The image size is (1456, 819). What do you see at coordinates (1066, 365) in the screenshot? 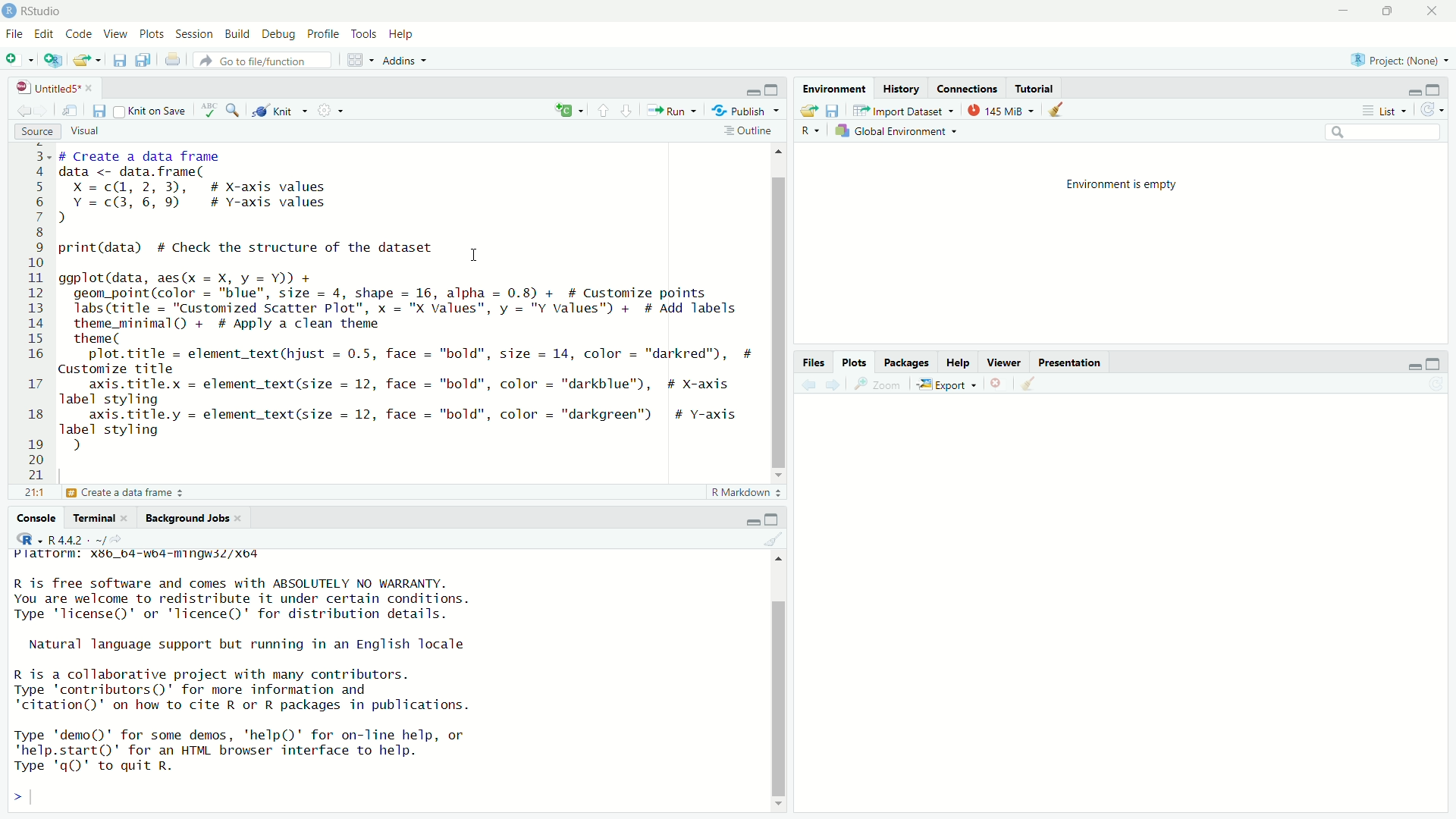
I see `Presentation` at bounding box center [1066, 365].